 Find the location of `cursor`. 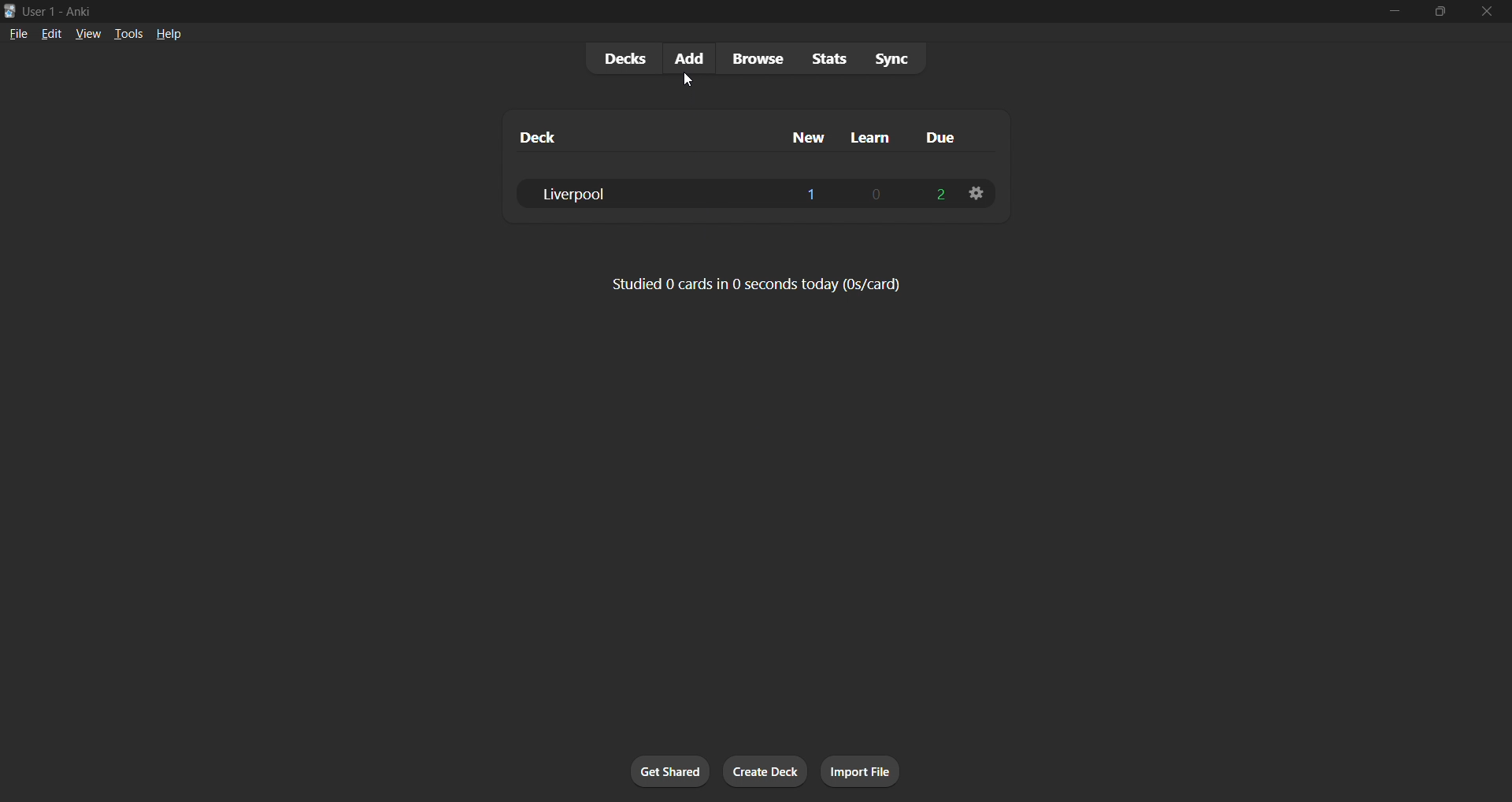

cursor is located at coordinates (691, 80).